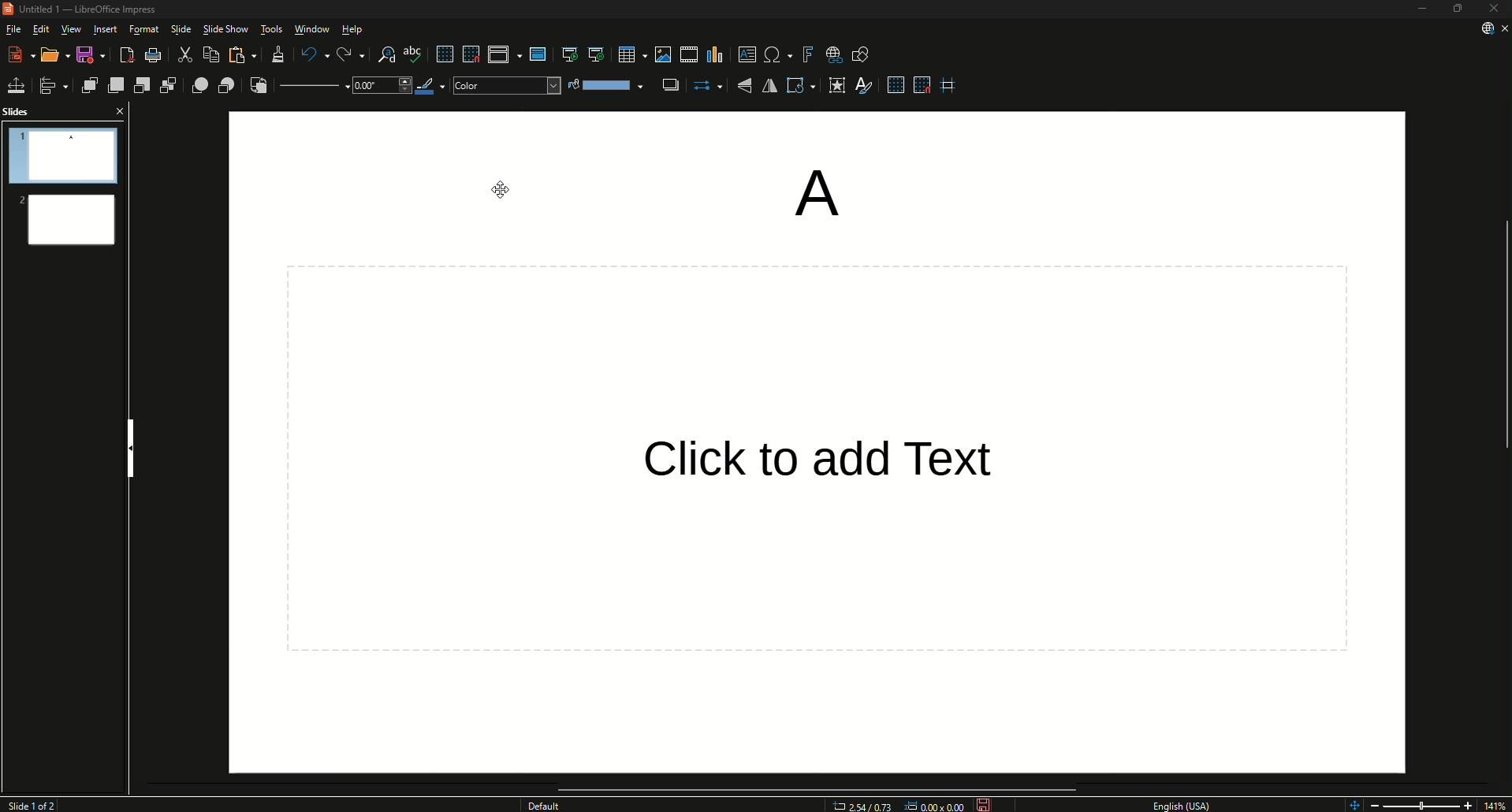  What do you see at coordinates (428, 88) in the screenshot?
I see `Line Color` at bounding box center [428, 88].